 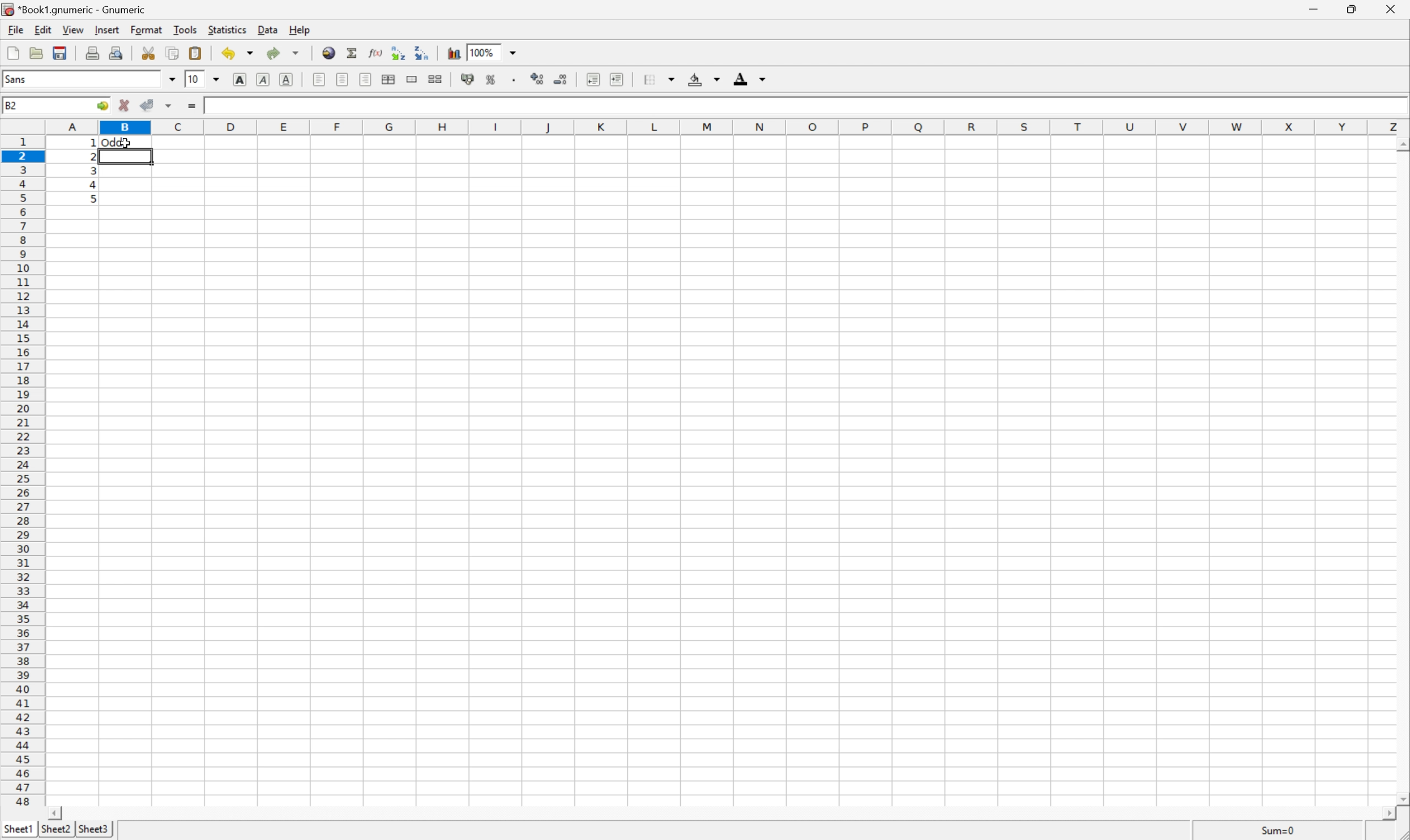 What do you see at coordinates (1400, 796) in the screenshot?
I see `Scroll Down` at bounding box center [1400, 796].